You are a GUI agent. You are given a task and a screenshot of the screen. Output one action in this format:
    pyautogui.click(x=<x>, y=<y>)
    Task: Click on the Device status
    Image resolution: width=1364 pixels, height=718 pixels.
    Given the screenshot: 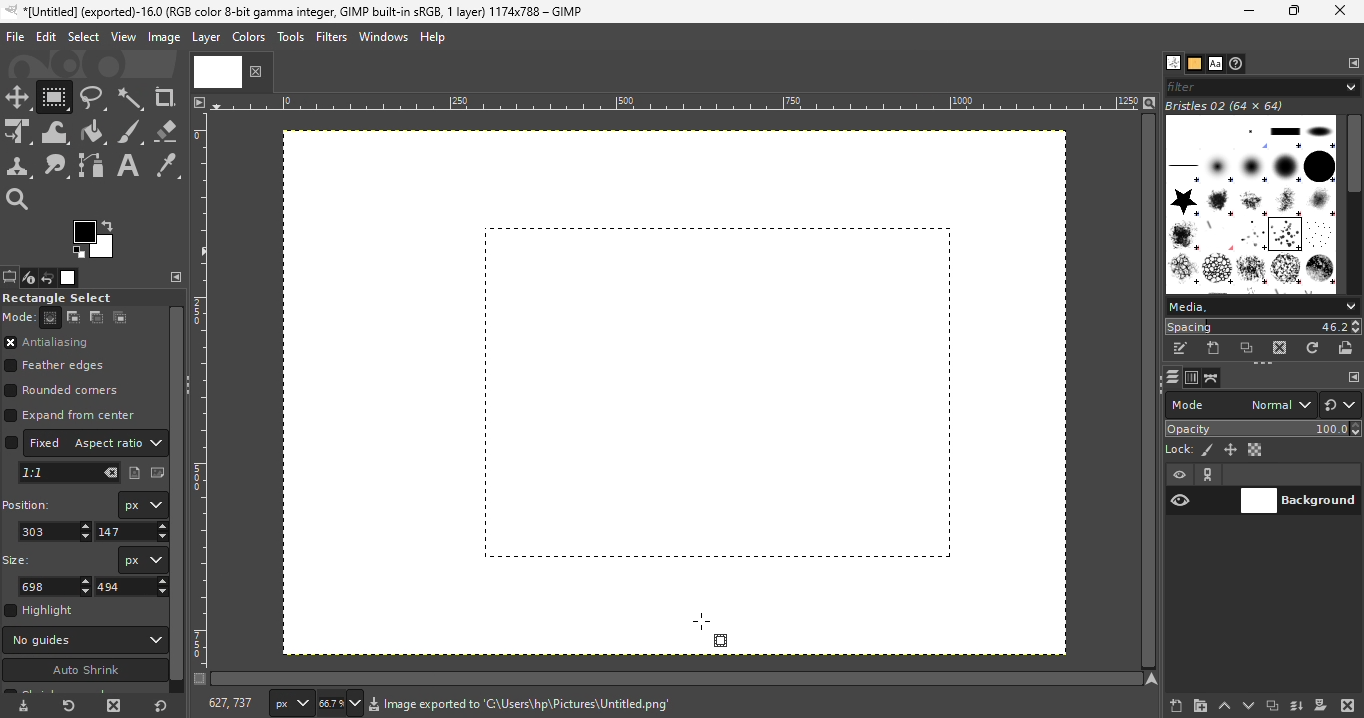 What is the action you would take?
    pyautogui.click(x=28, y=278)
    